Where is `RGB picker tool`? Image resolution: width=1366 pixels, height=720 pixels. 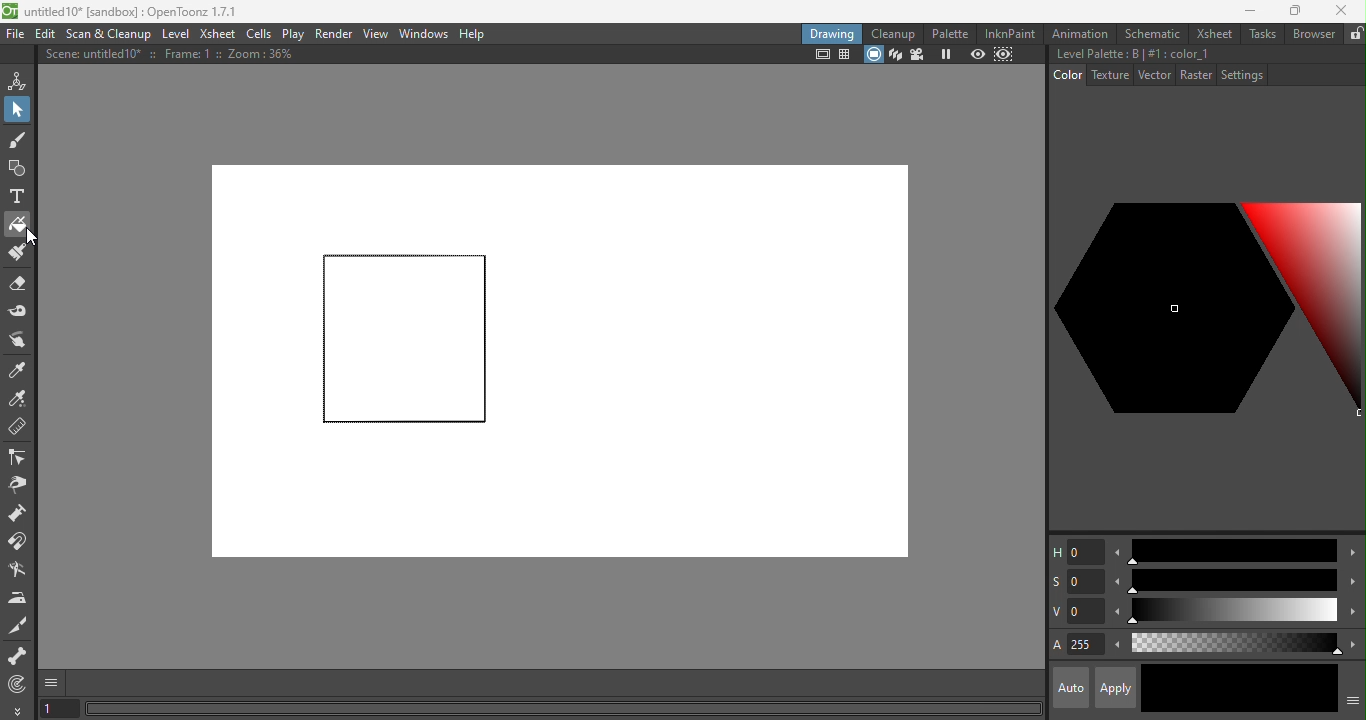 RGB picker tool is located at coordinates (18, 398).